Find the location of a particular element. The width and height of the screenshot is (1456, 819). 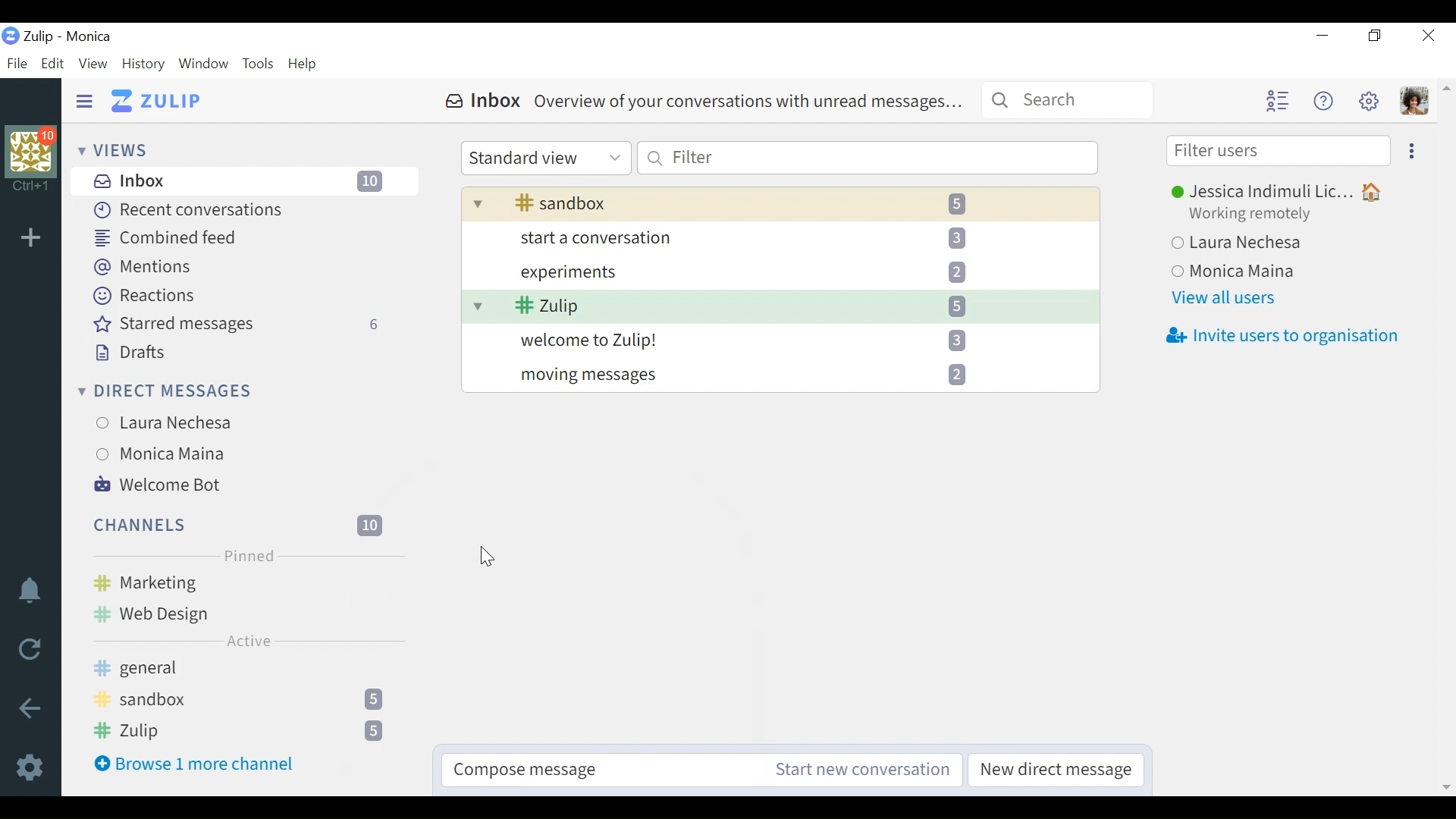

New direct messages is located at coordinates (1053, 770).